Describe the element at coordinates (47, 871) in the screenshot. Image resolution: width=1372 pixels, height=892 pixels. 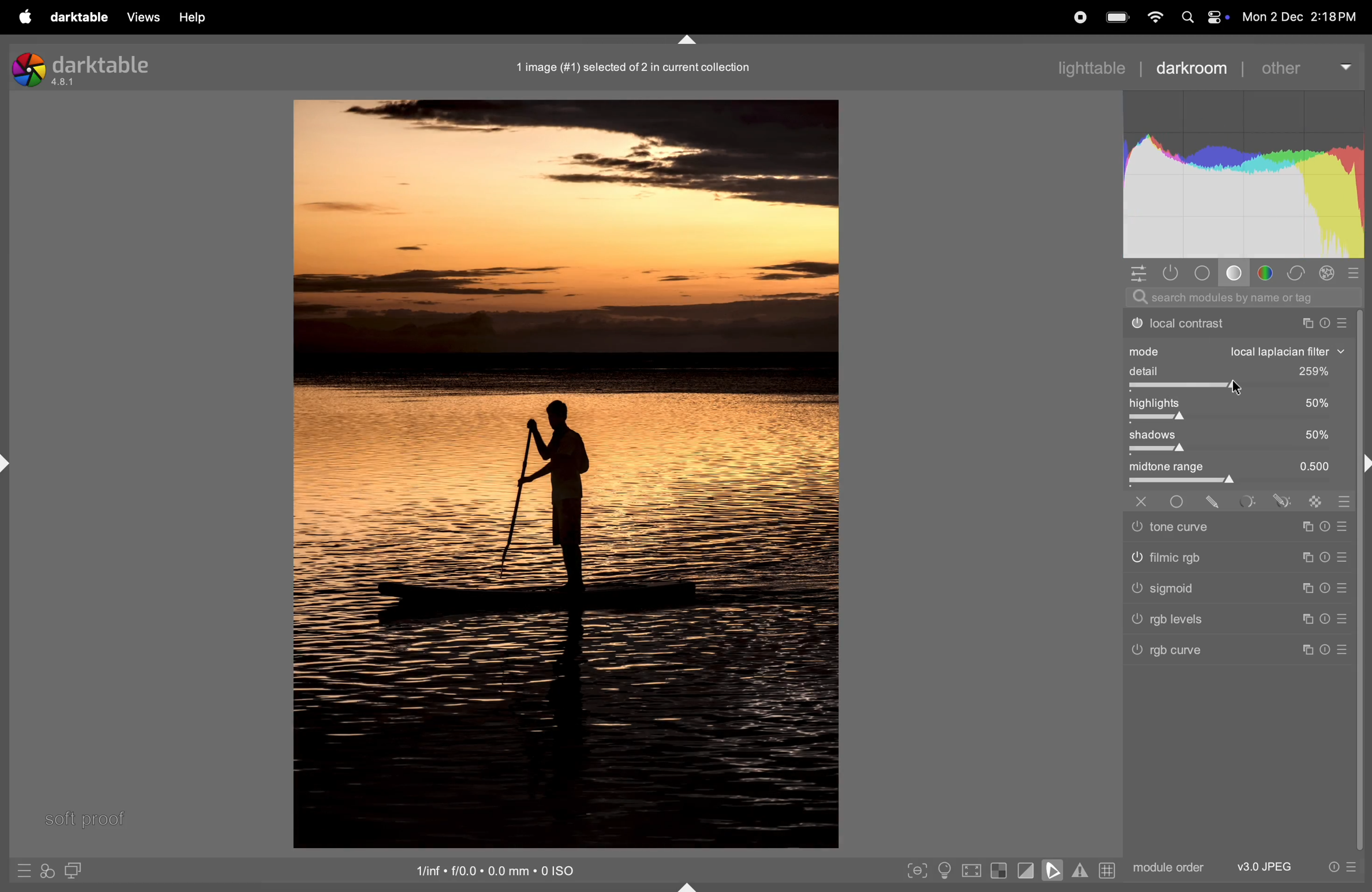
I see `quick access for applying styles` at that location.